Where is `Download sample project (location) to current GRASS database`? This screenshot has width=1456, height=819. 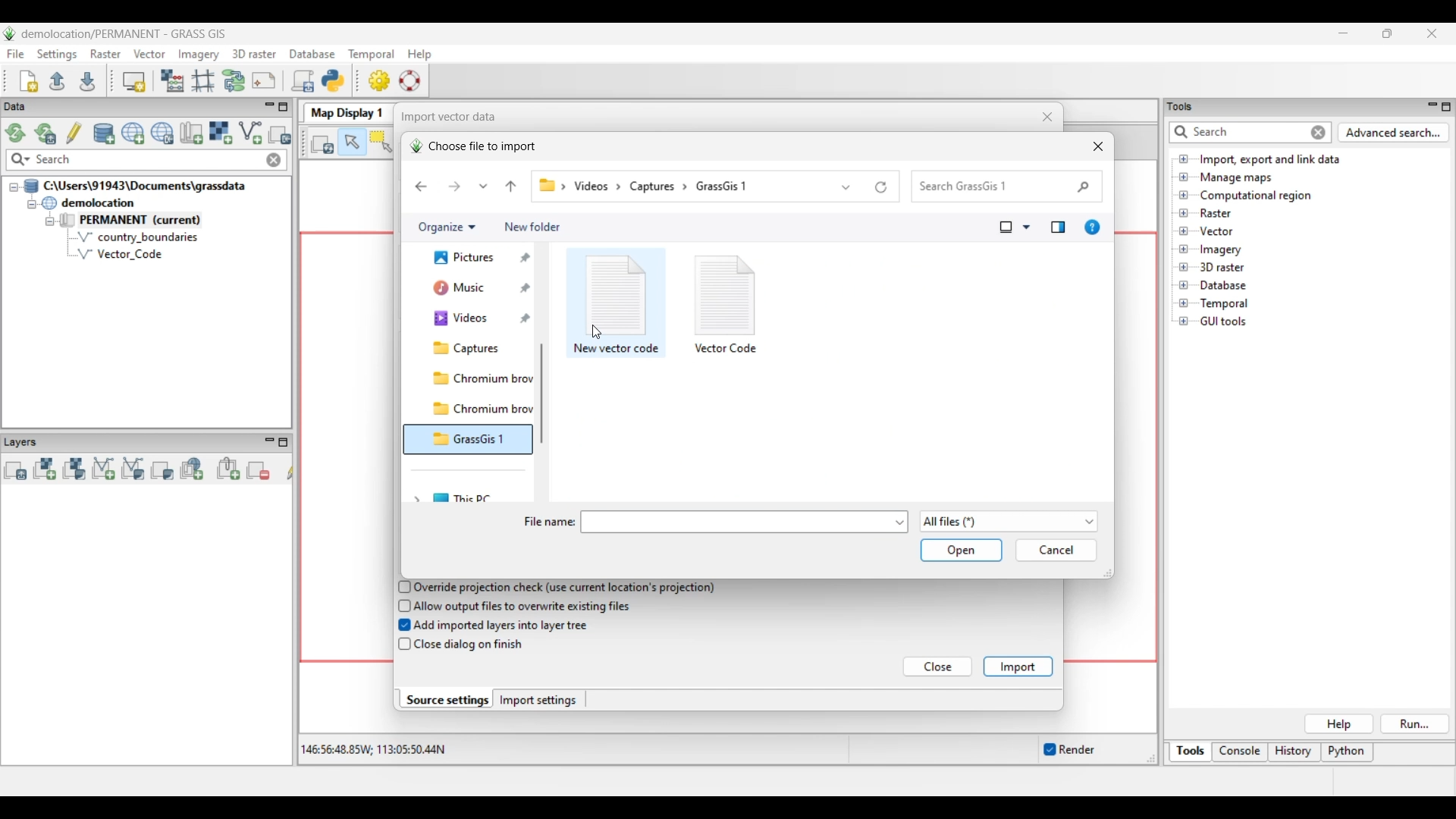
Download sample project (location) to current GRASS database is located at coordinates (162, 133).